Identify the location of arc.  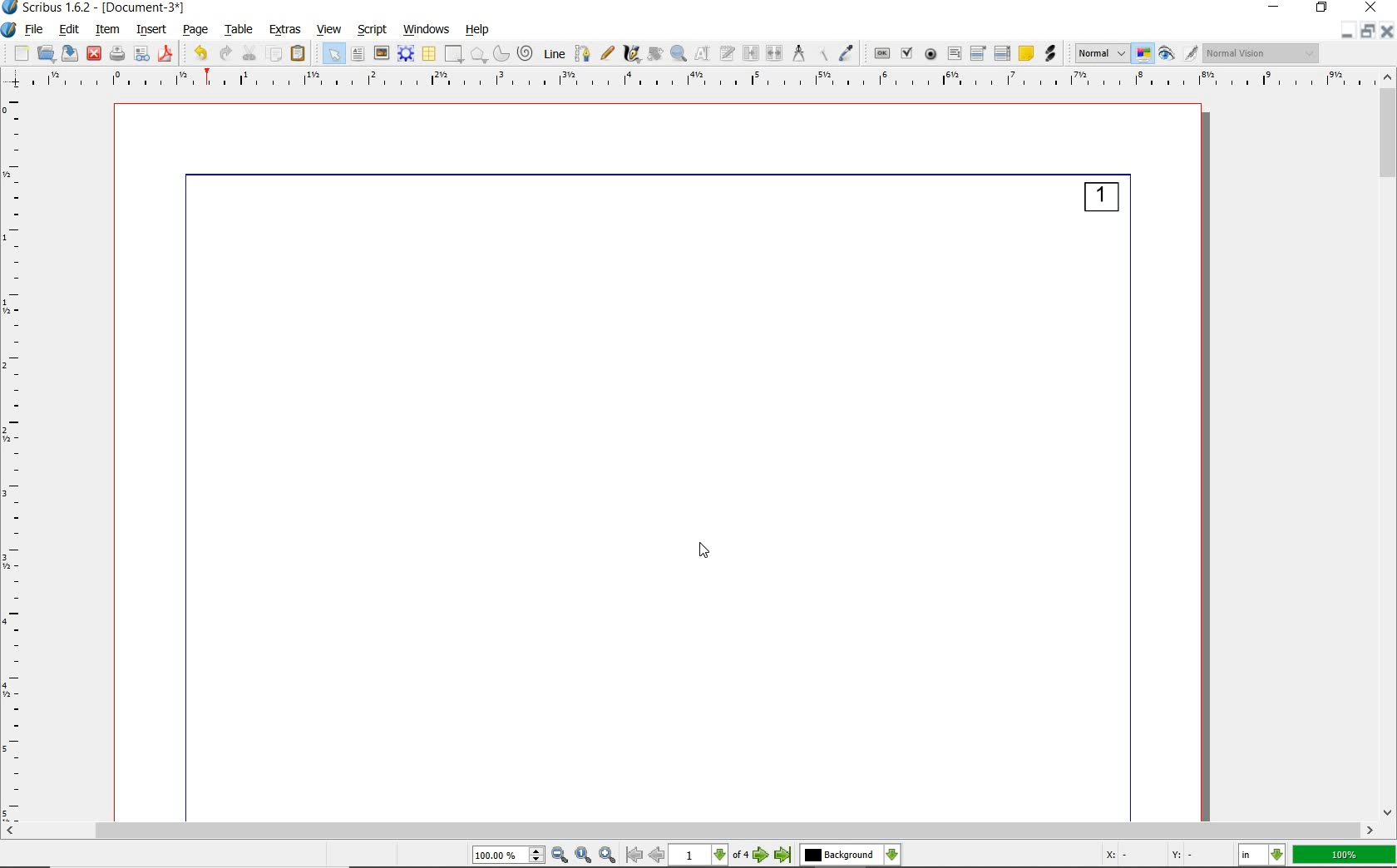
(500, 53).